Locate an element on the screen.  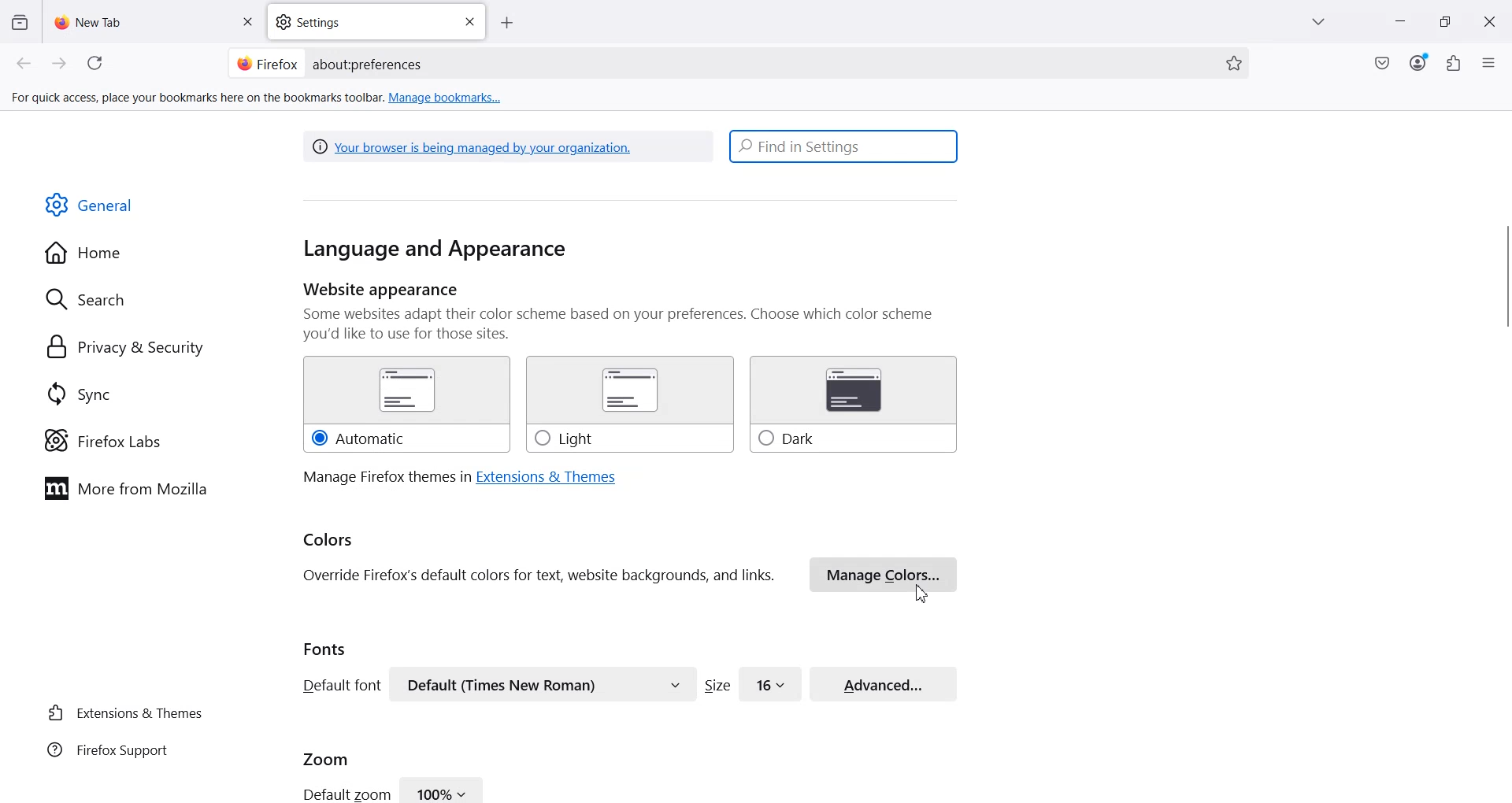
Close is located at coordinates (246, 23).